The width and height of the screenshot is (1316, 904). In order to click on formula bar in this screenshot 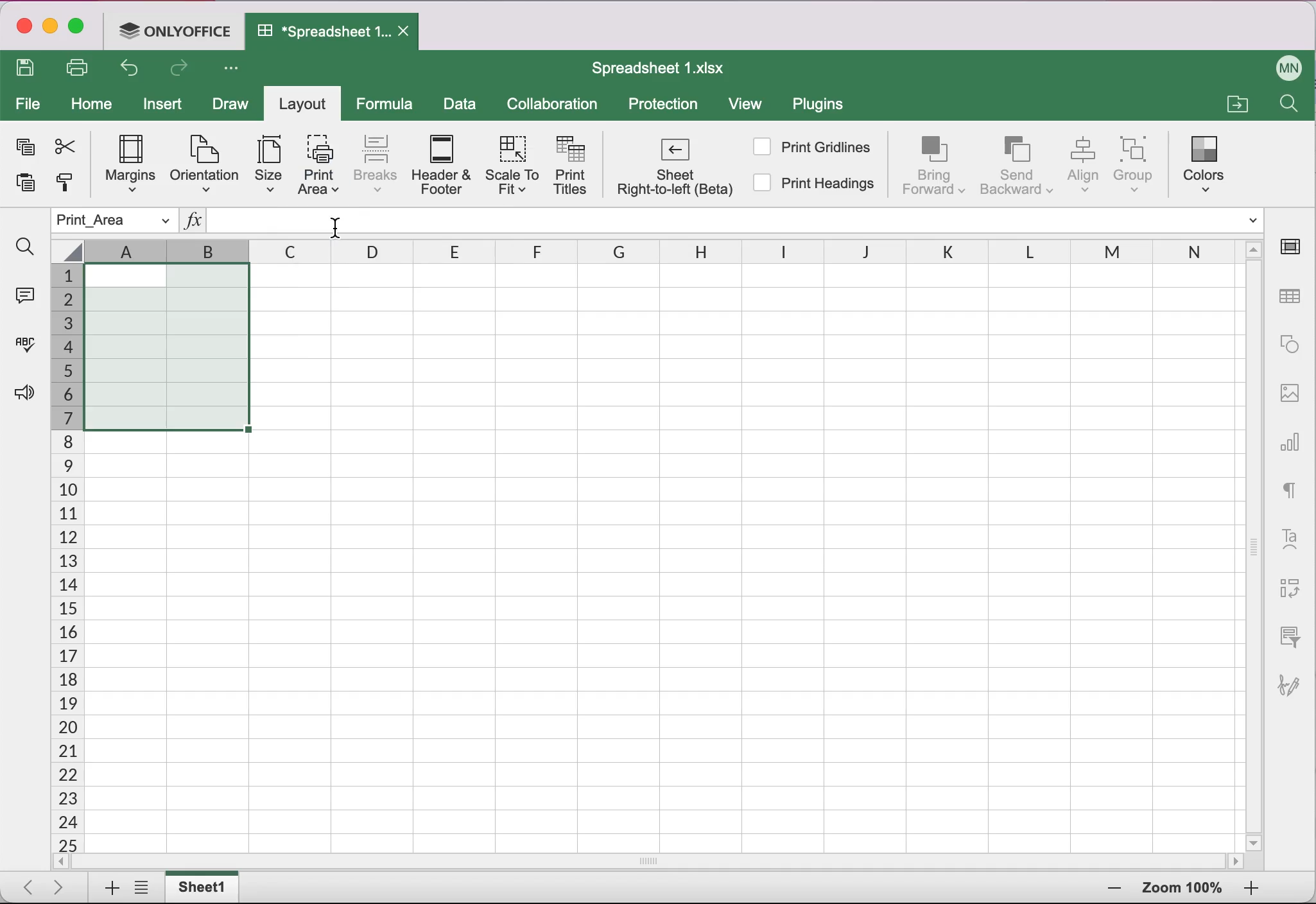, I will do `click(816, 221)`.